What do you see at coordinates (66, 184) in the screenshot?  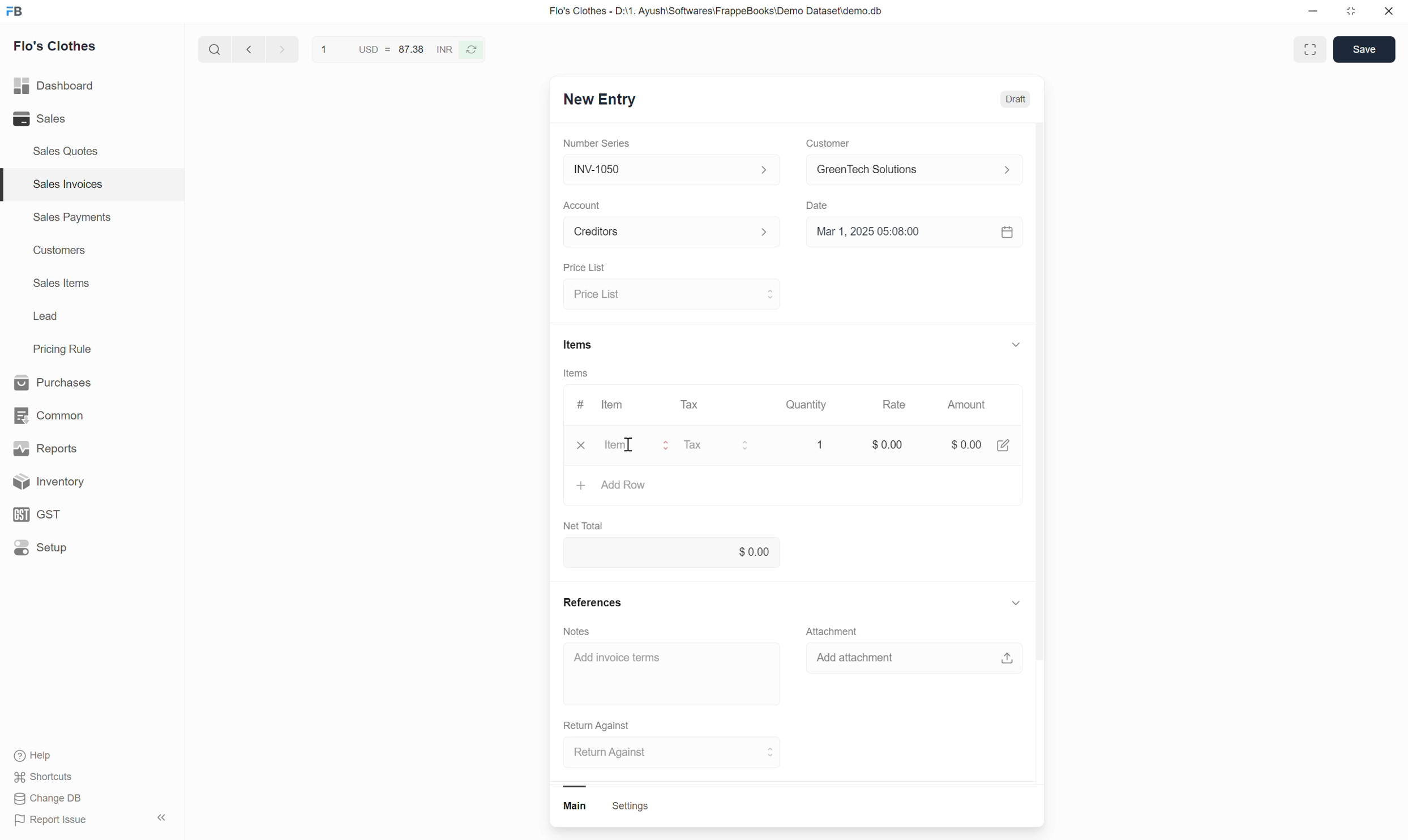 I see `Sales Invoices` at bounding box center [66, 184].